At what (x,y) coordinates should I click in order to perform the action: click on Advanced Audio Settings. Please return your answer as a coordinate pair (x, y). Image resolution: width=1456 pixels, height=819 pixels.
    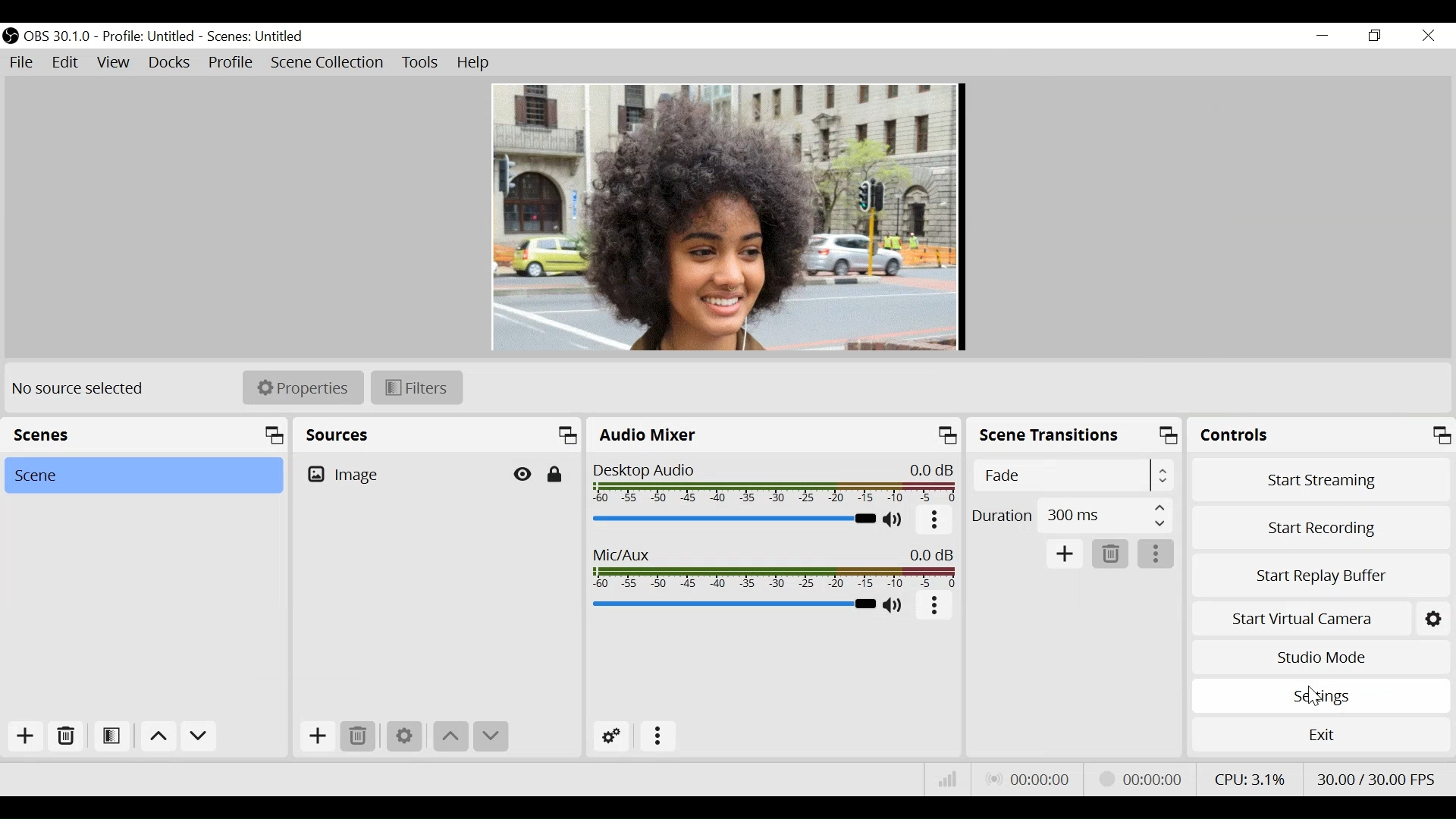
    Looking at the image, I should click on (612, 736).